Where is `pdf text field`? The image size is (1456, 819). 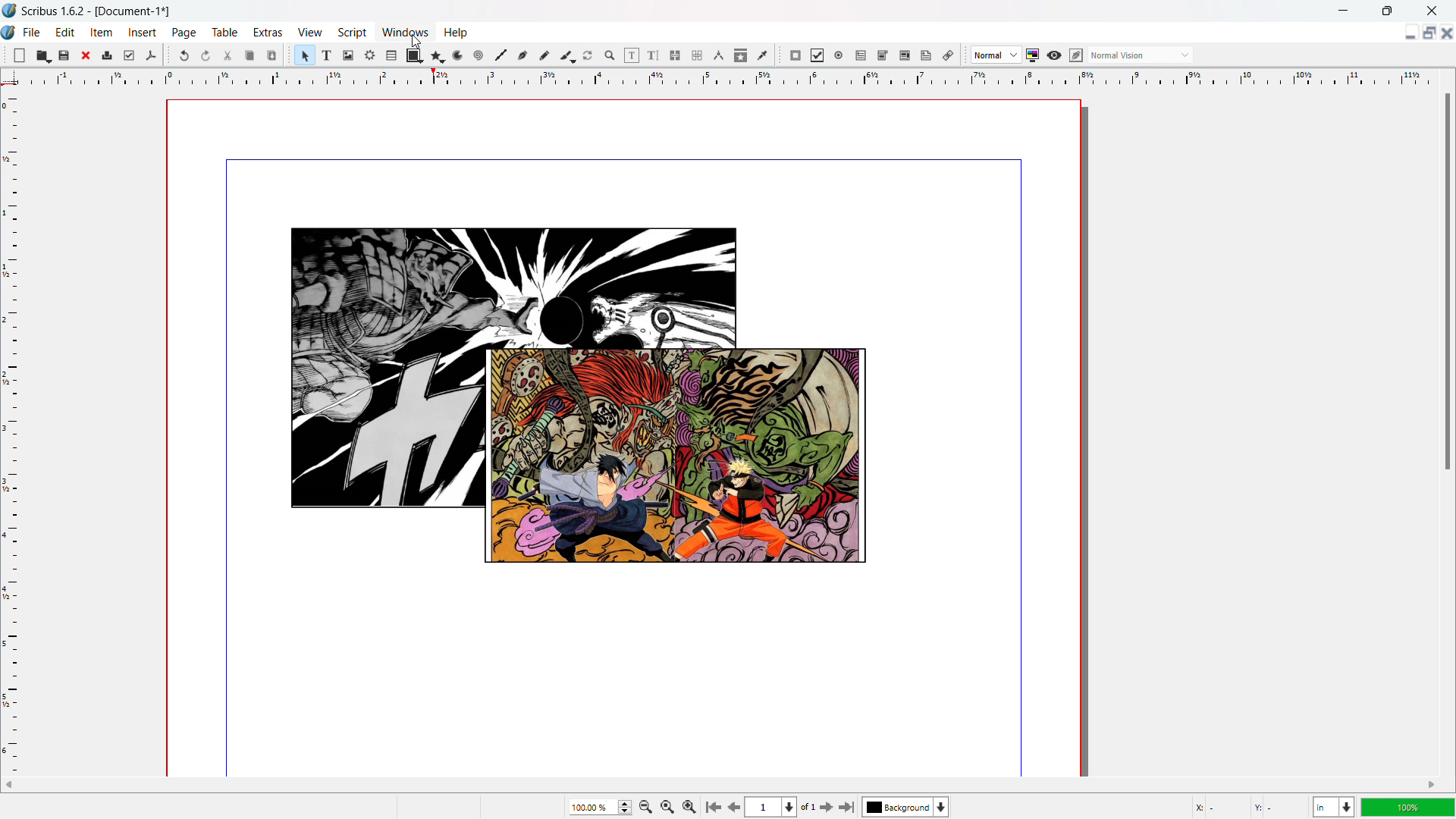 pdf text field is located at coordinates (861, 55).